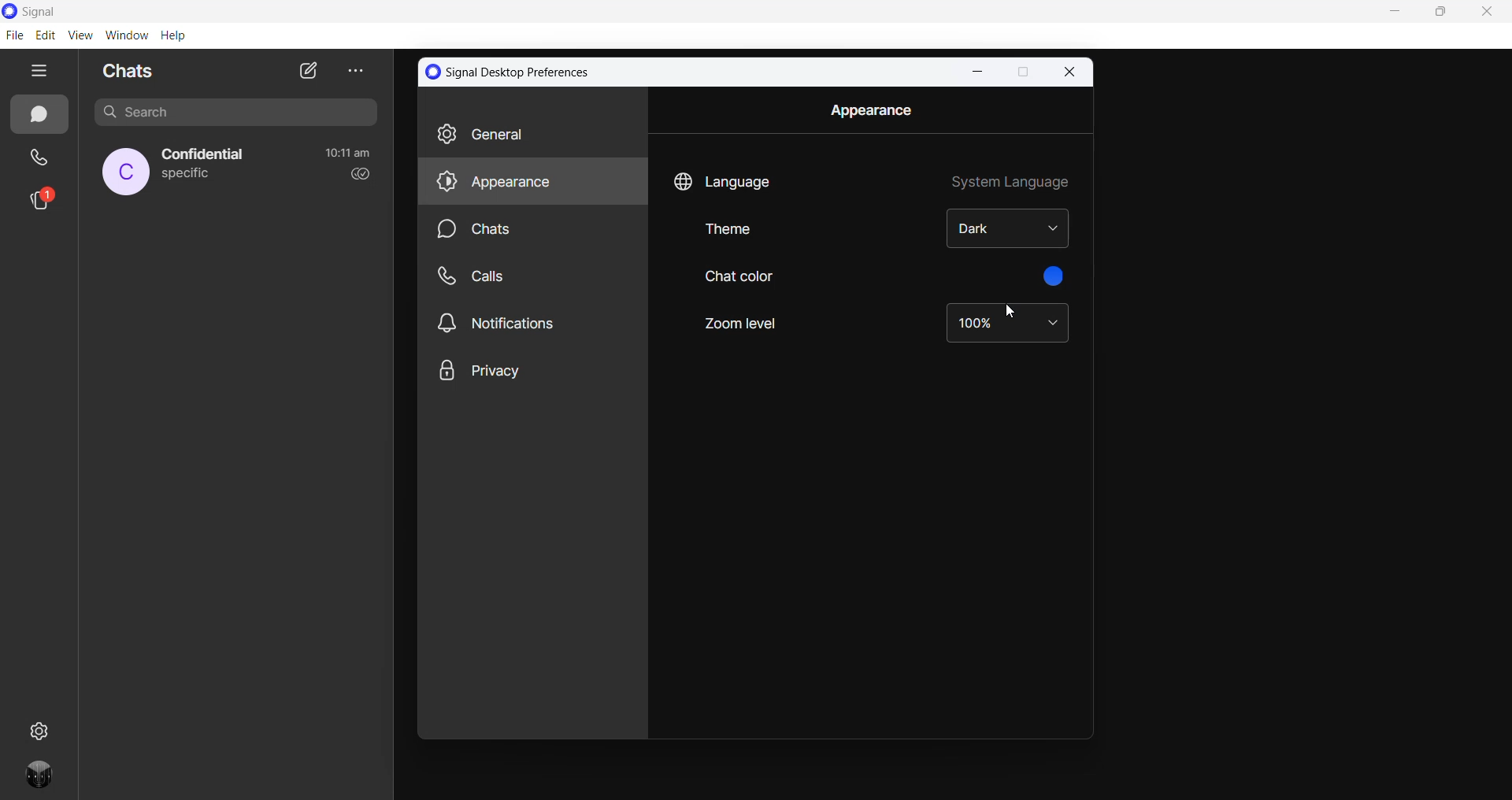 The width and height of the screenshot is (1512, 800). What do you see at coordinates (747, 235) in the screenshot?
I see `theme` at bounding box center [747, 235].